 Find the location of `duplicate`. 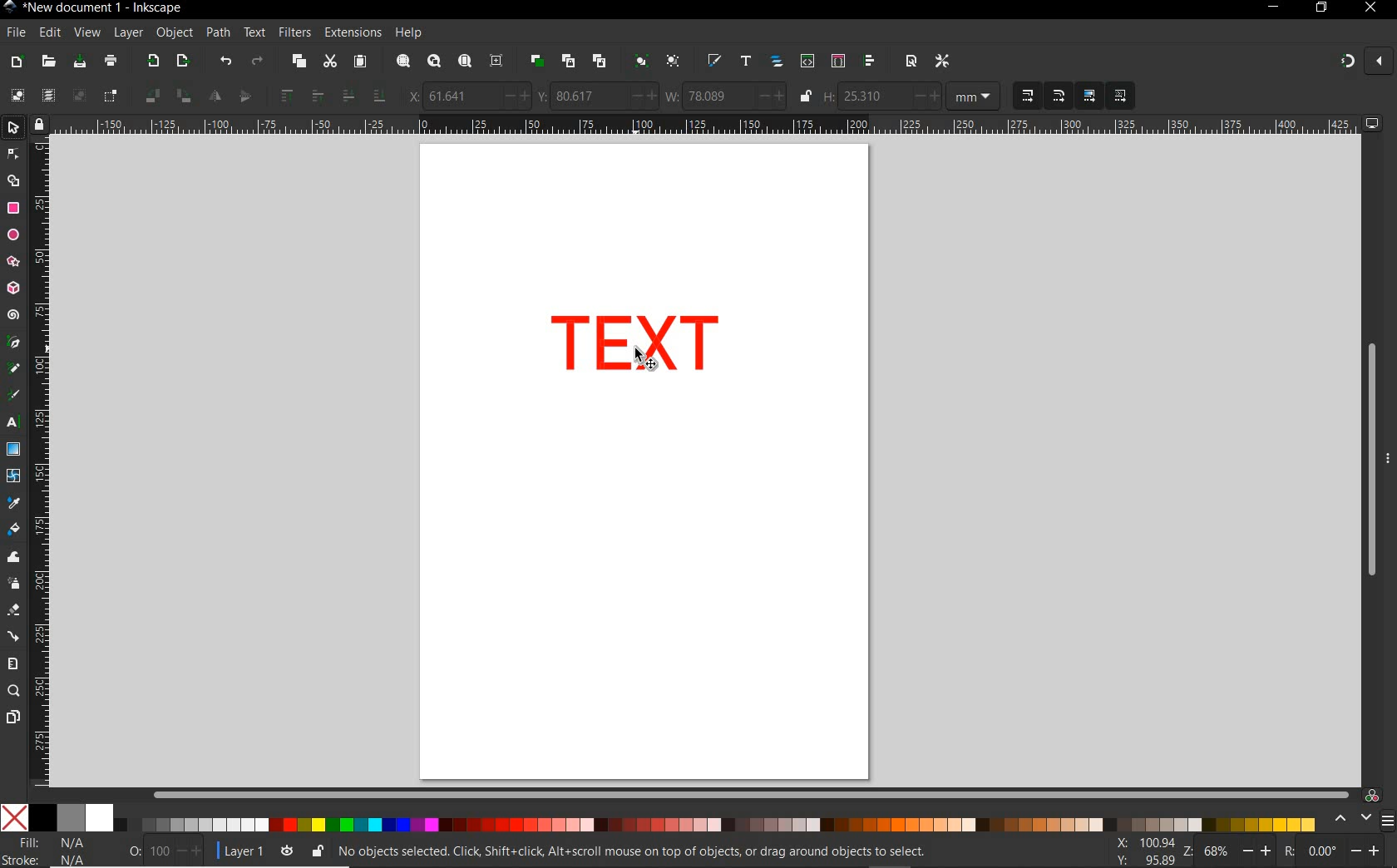

duplicate is located at coordinates (537, 61).